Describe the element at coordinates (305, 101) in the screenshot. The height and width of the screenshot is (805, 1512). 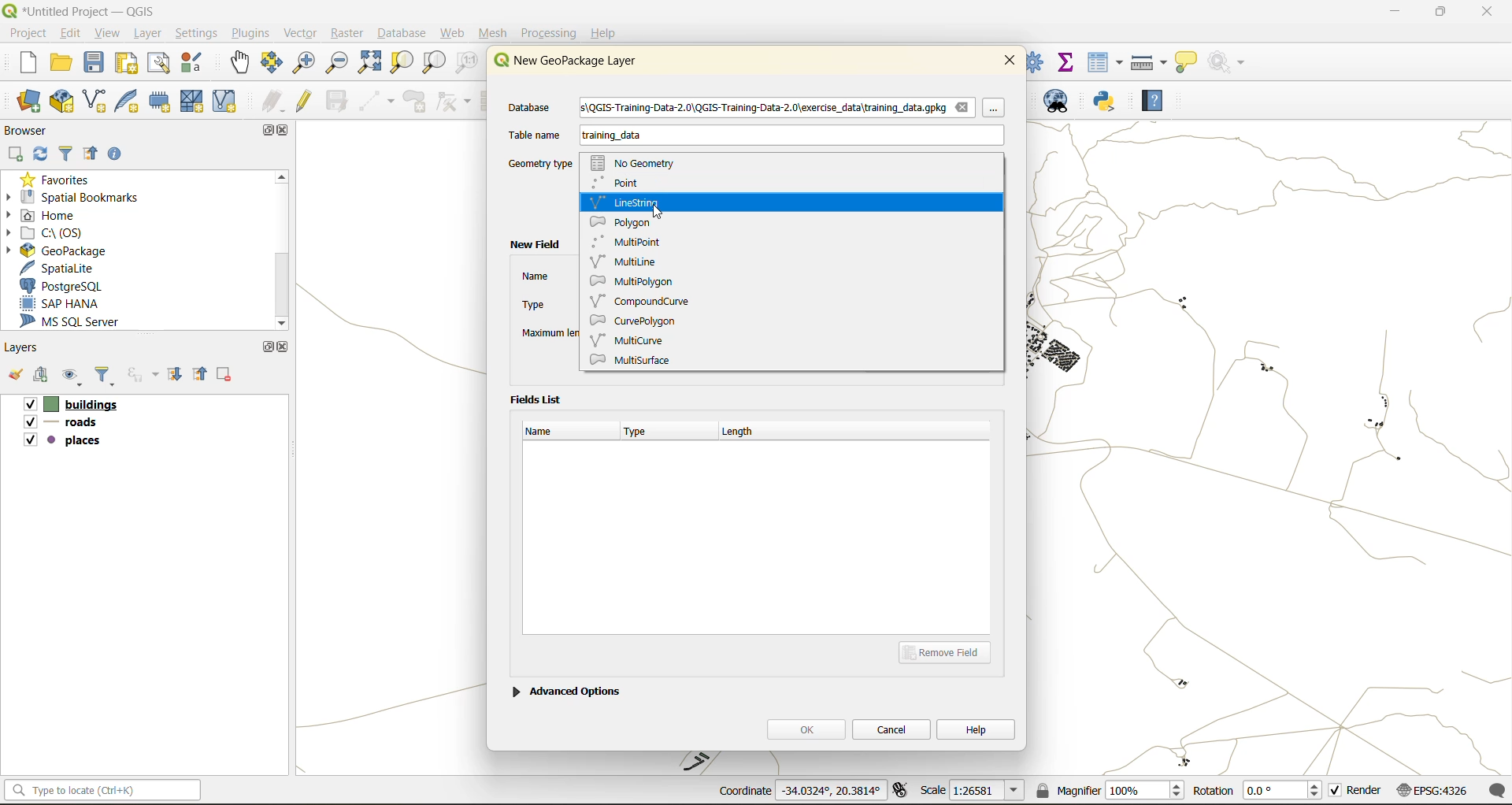
I see `toggle edits` at that location.